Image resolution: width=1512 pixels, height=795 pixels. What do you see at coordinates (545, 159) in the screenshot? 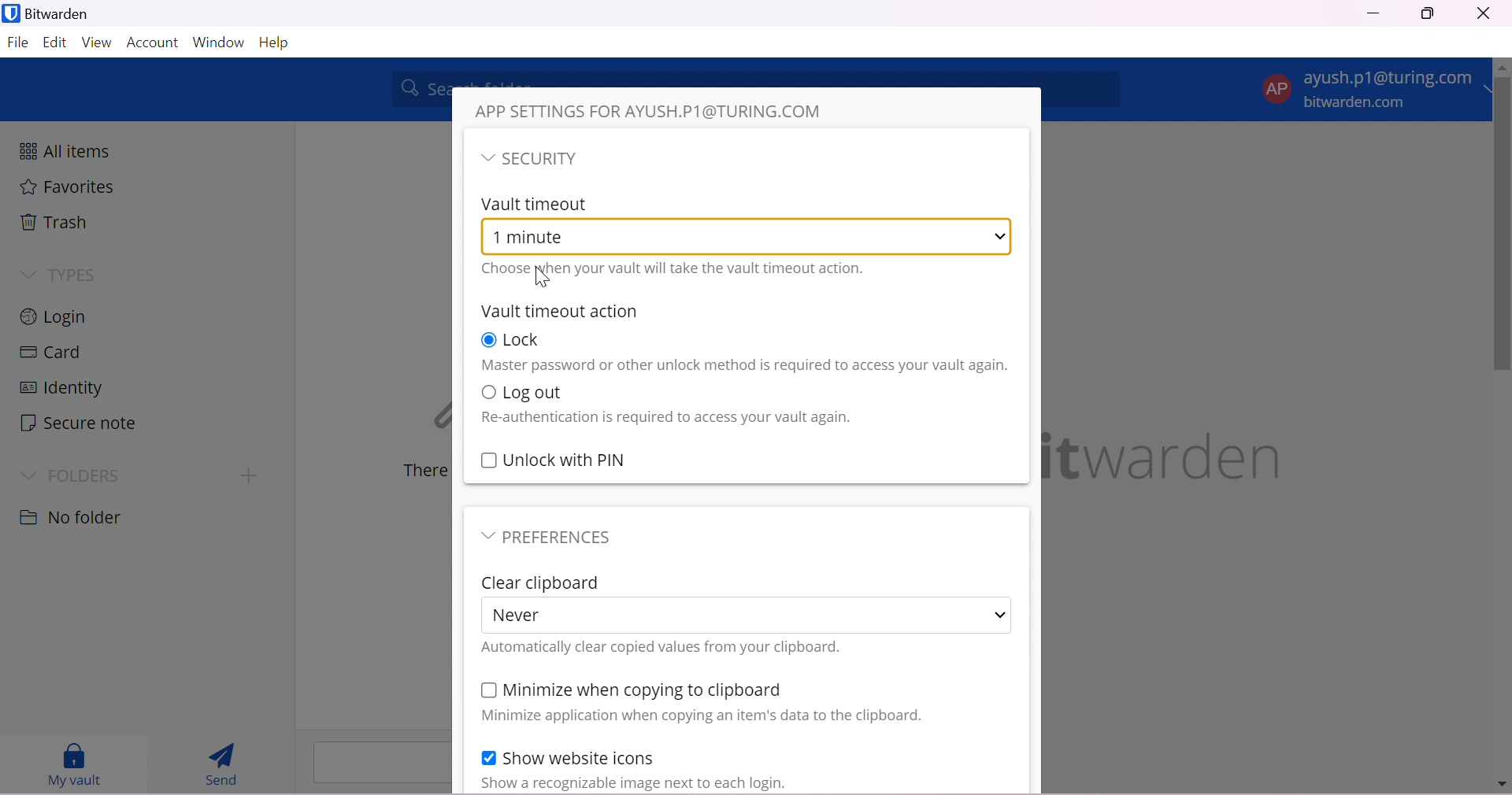
I see `SECURITY` at bounding box center [545, 159].